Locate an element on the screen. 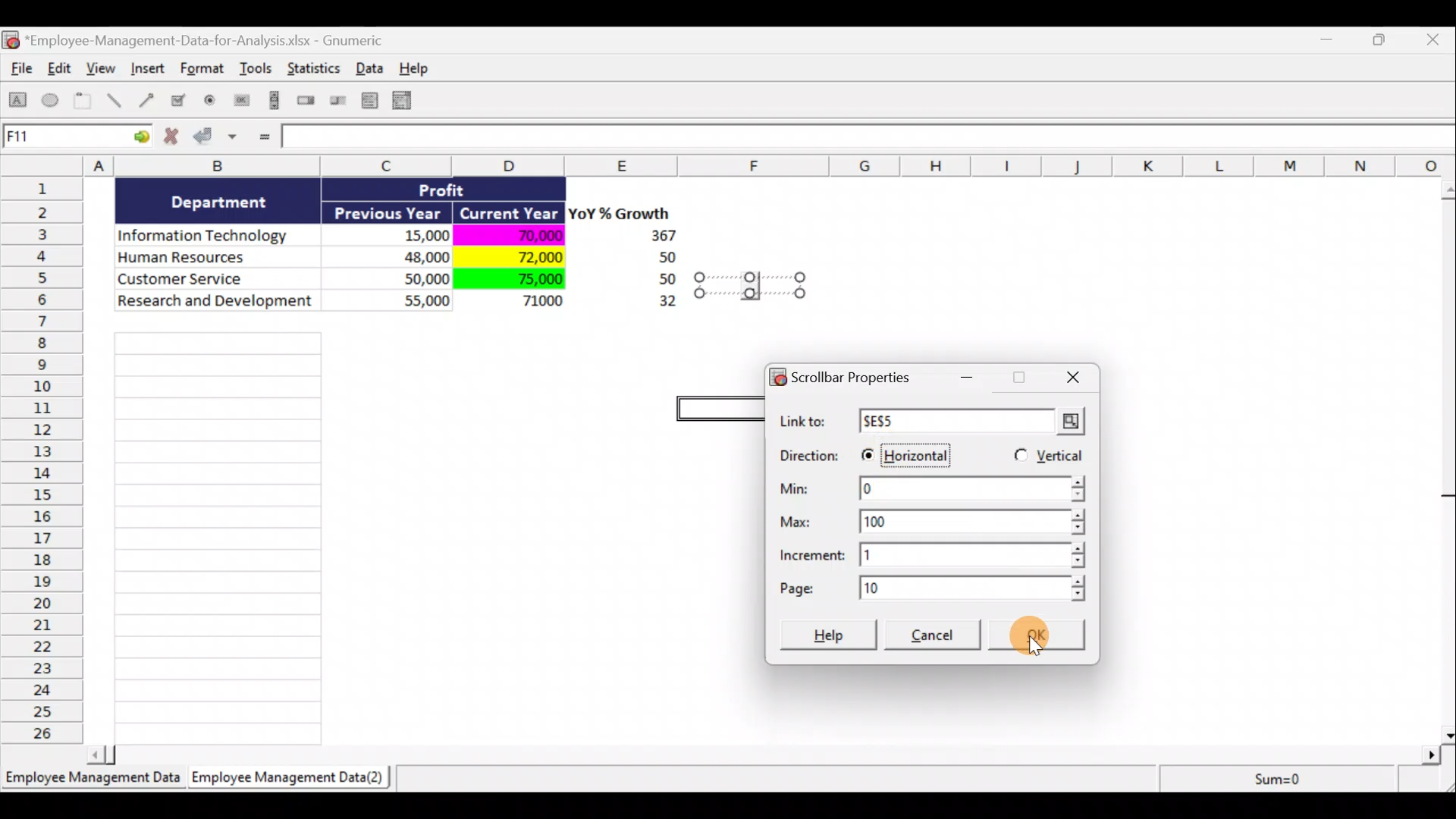  Data is located at coordinates (374, 67).